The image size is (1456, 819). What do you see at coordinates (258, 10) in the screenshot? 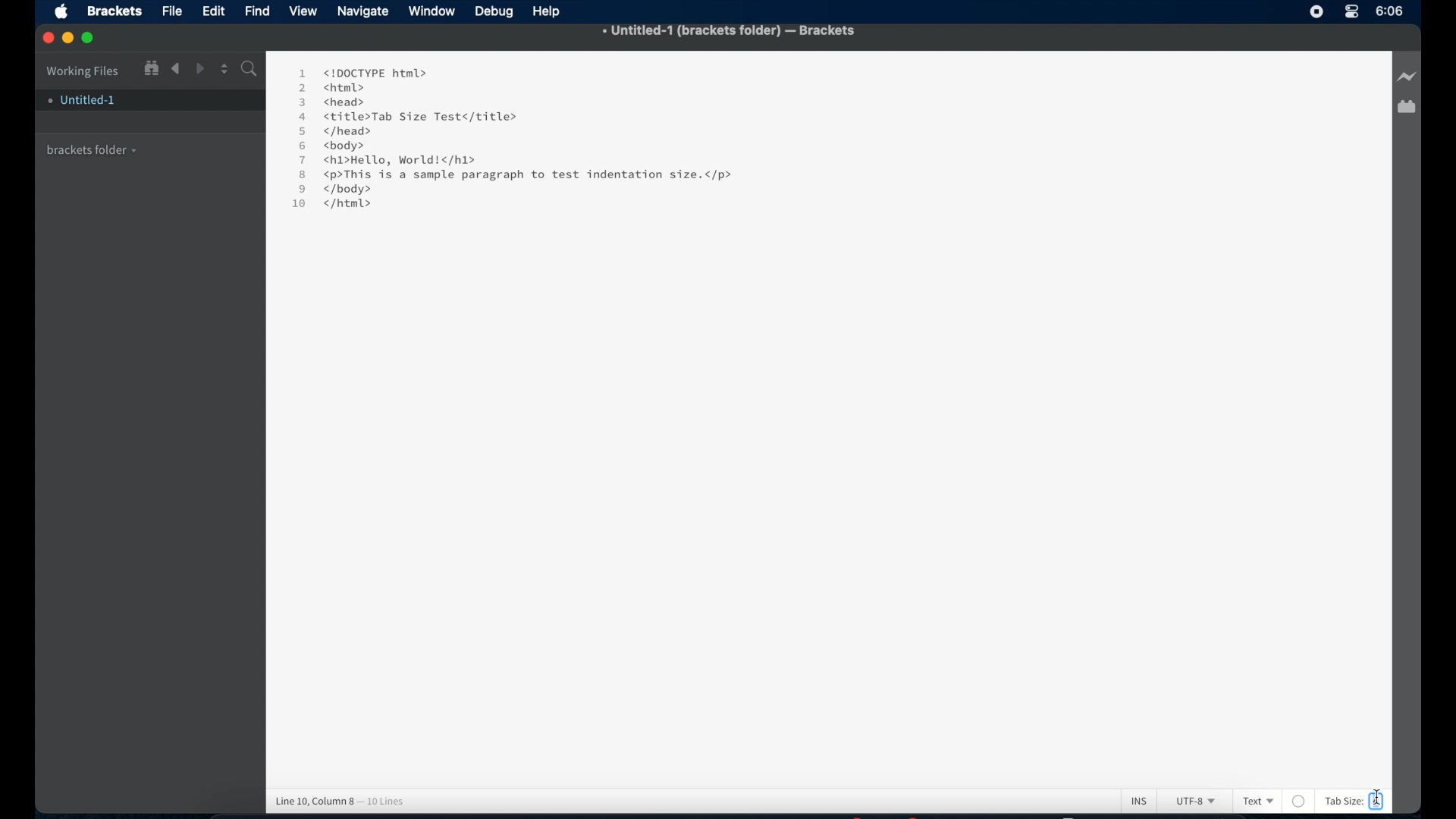
I see `Find` at bounding box center [258, 10].